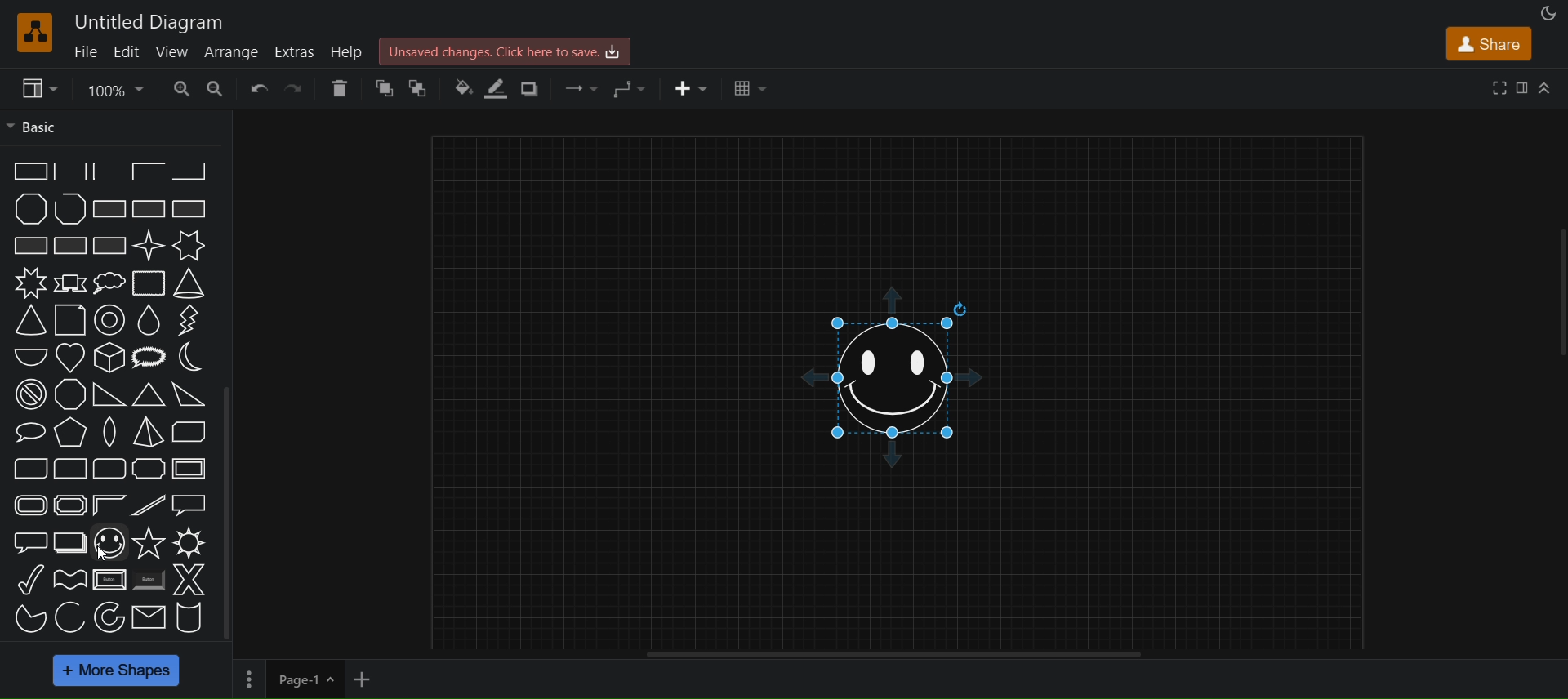 This screenshot has height=699, width=1568. Describe the element at coordinates (29, 431) in the screenshot. I see `oval callout` at that location.